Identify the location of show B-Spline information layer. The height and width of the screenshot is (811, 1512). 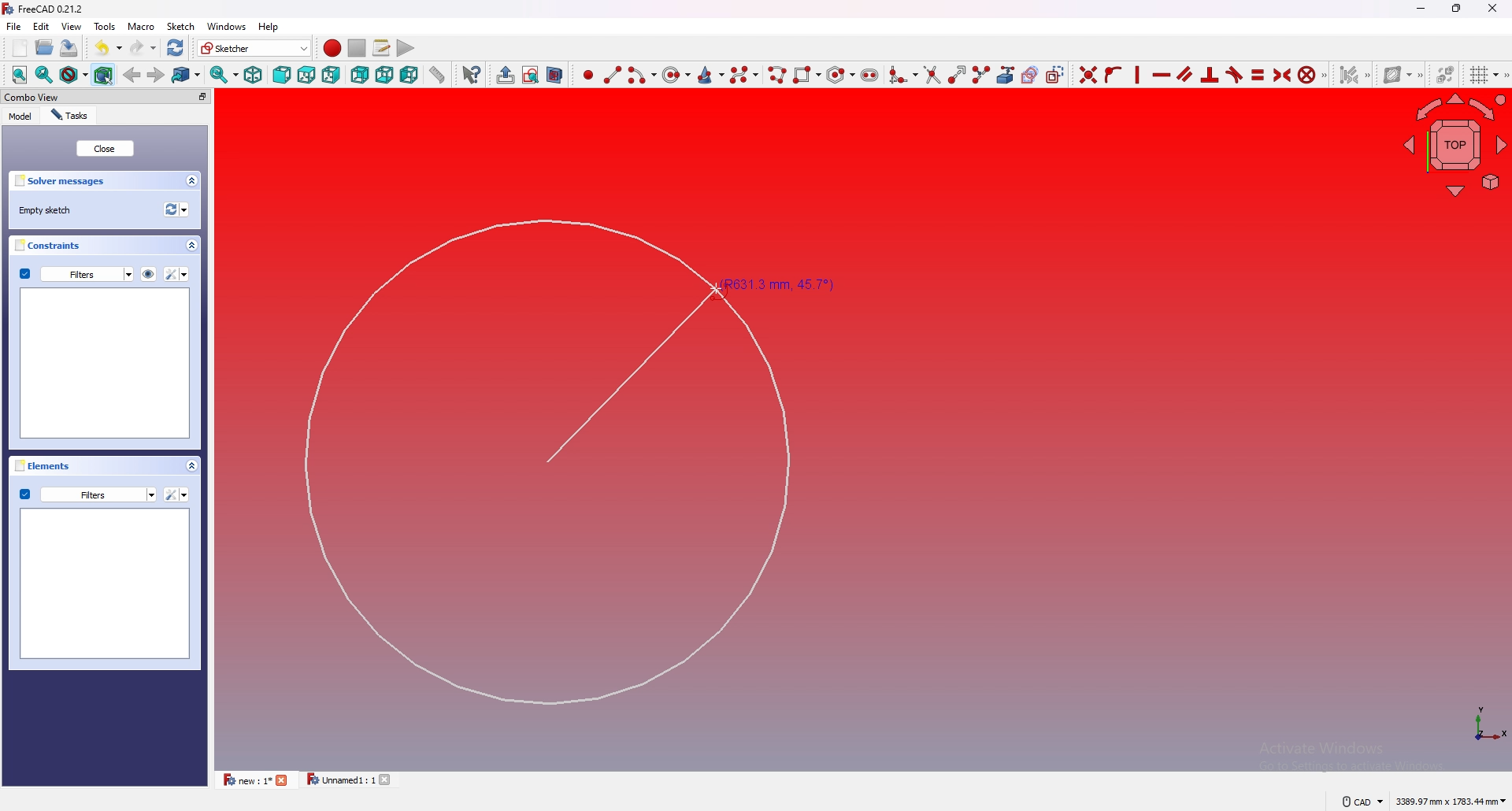
(1401, 74).